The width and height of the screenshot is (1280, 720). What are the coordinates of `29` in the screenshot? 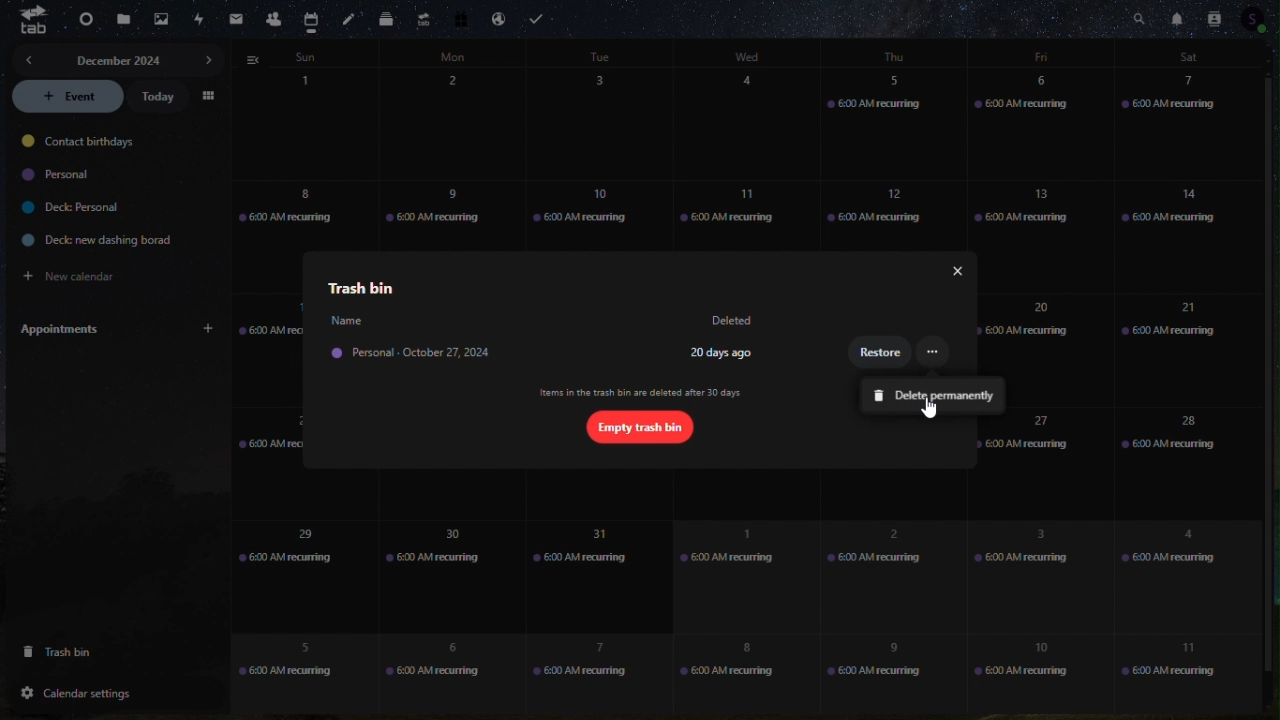 It's located at (301, 561).